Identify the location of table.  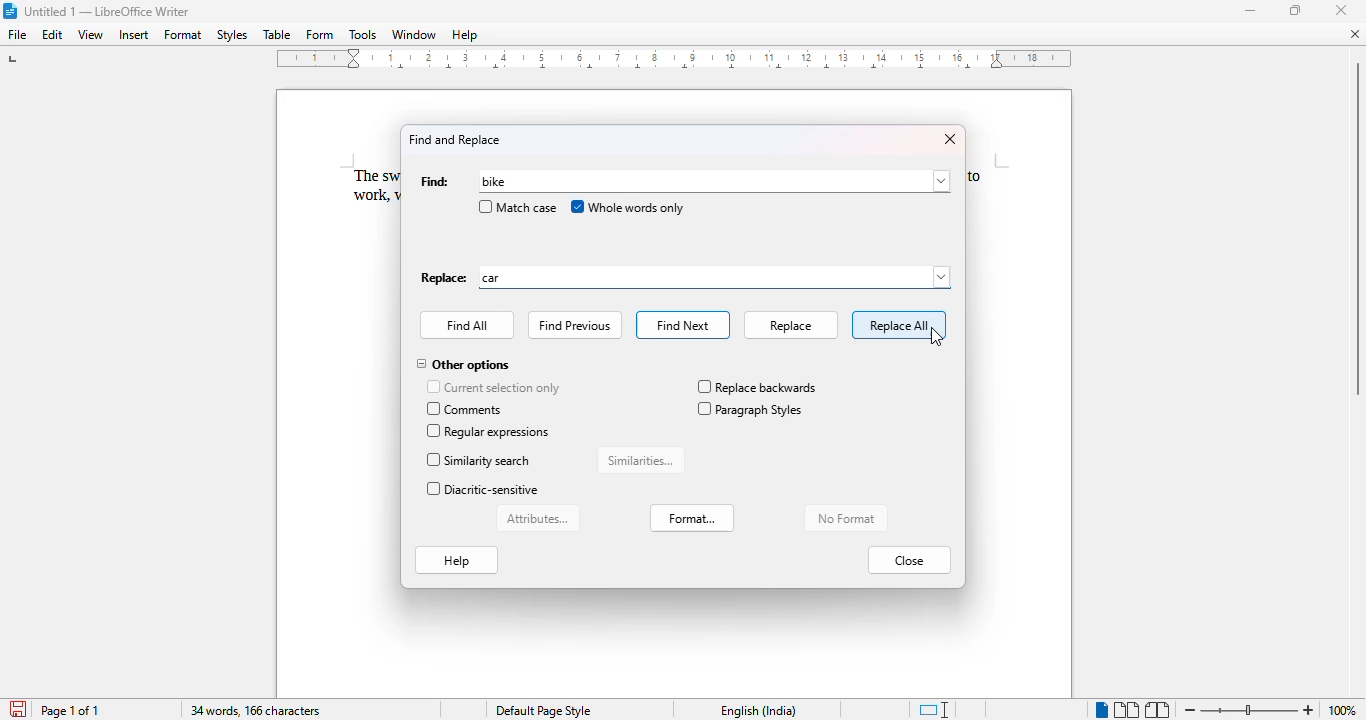
(276, 35).